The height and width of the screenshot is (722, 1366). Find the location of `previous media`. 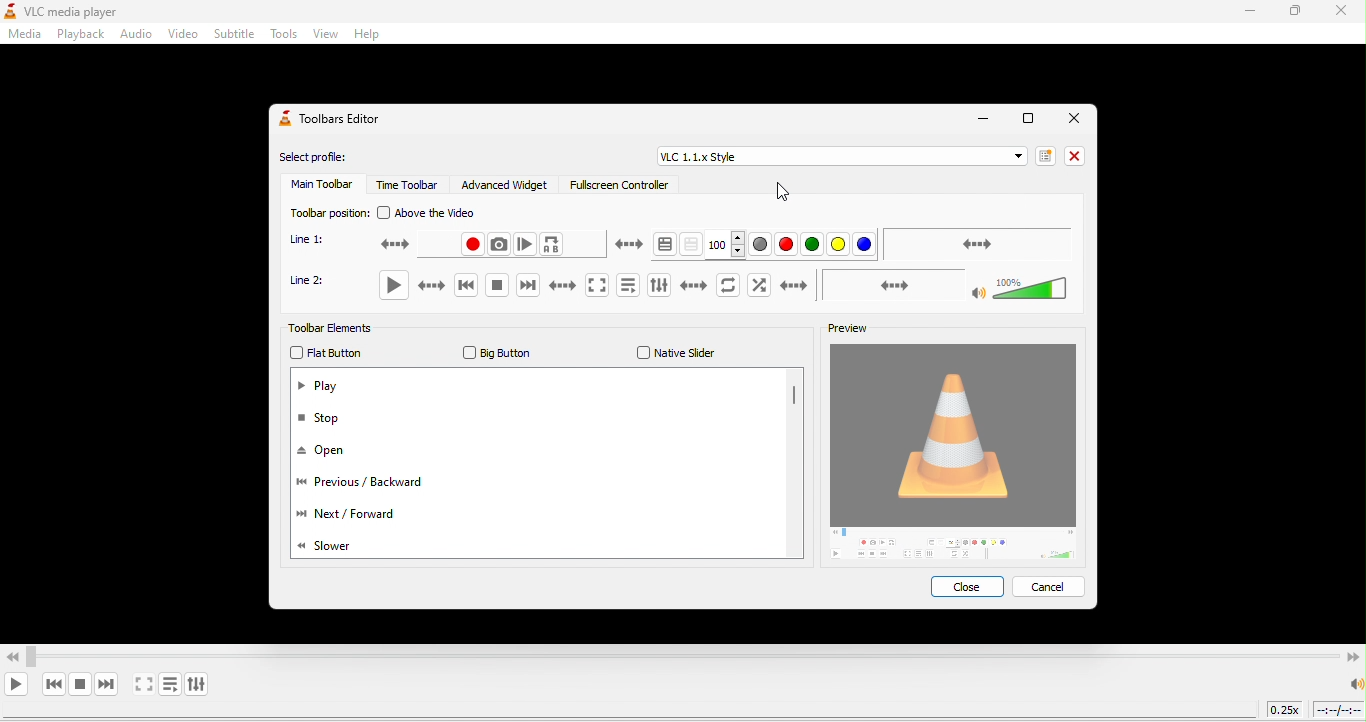

previous media is located at coordinates (457, 287).